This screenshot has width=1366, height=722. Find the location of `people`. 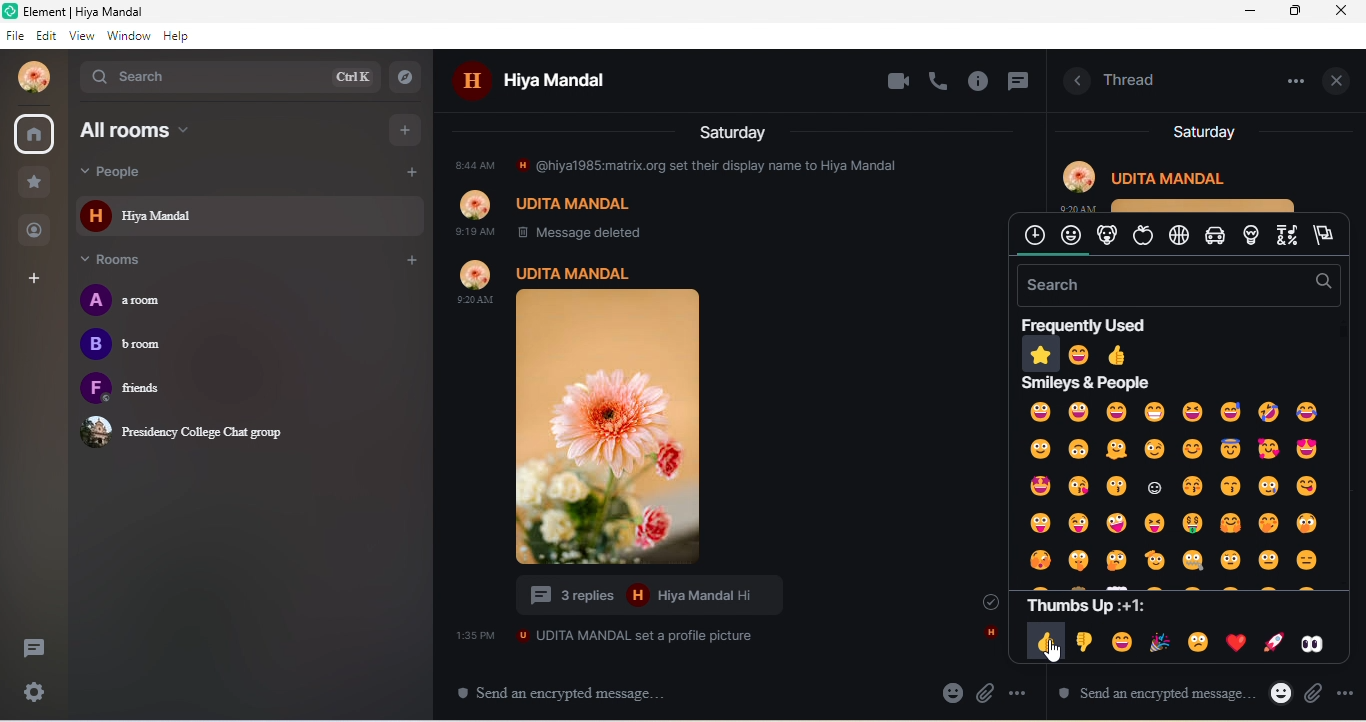

people is located at coordinates (145, 172).